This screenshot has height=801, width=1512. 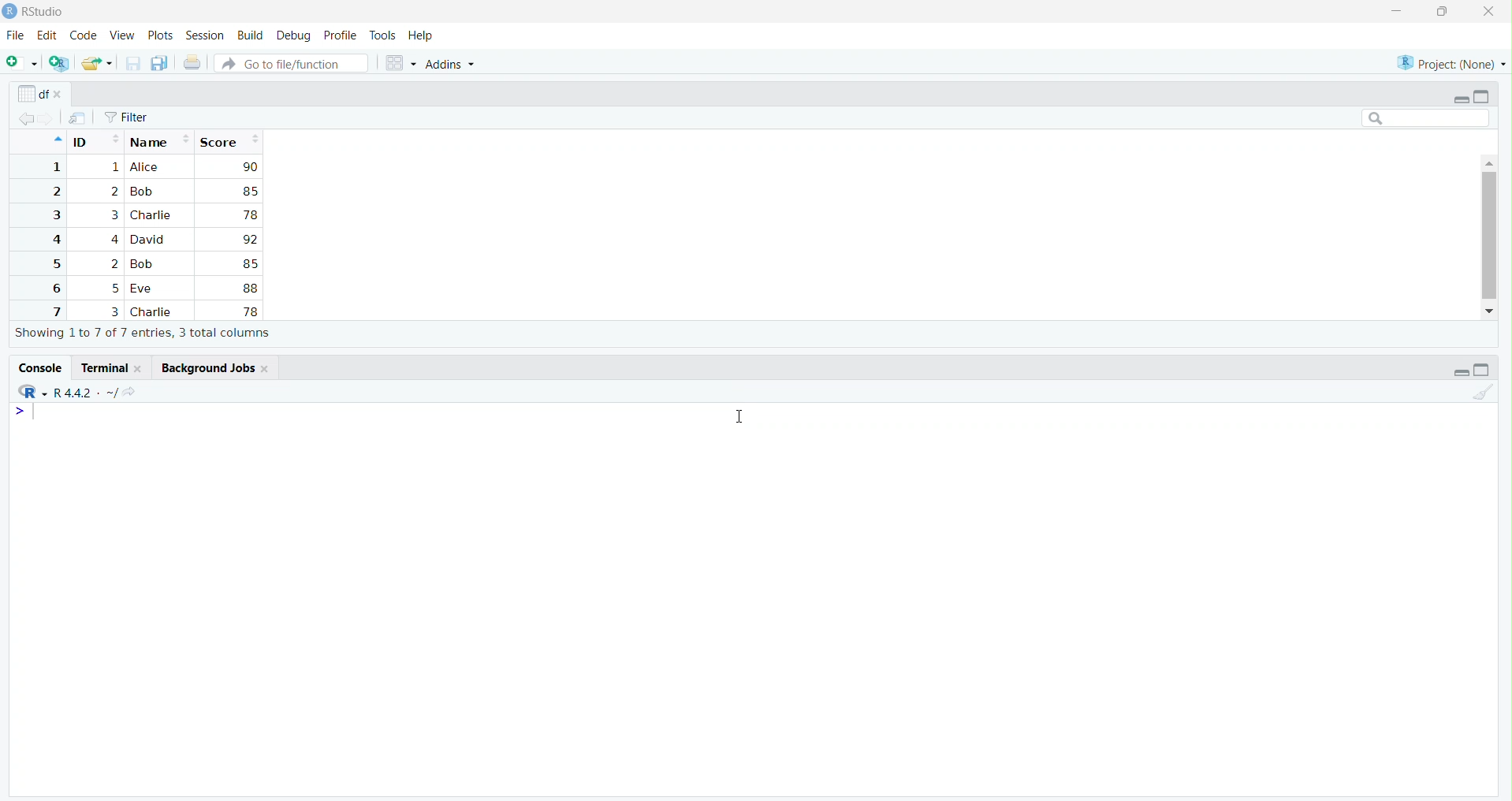 What do you see at coordinates (147, 167) in the screenshot?
I see `Alice` at bounding box center [147, 167].